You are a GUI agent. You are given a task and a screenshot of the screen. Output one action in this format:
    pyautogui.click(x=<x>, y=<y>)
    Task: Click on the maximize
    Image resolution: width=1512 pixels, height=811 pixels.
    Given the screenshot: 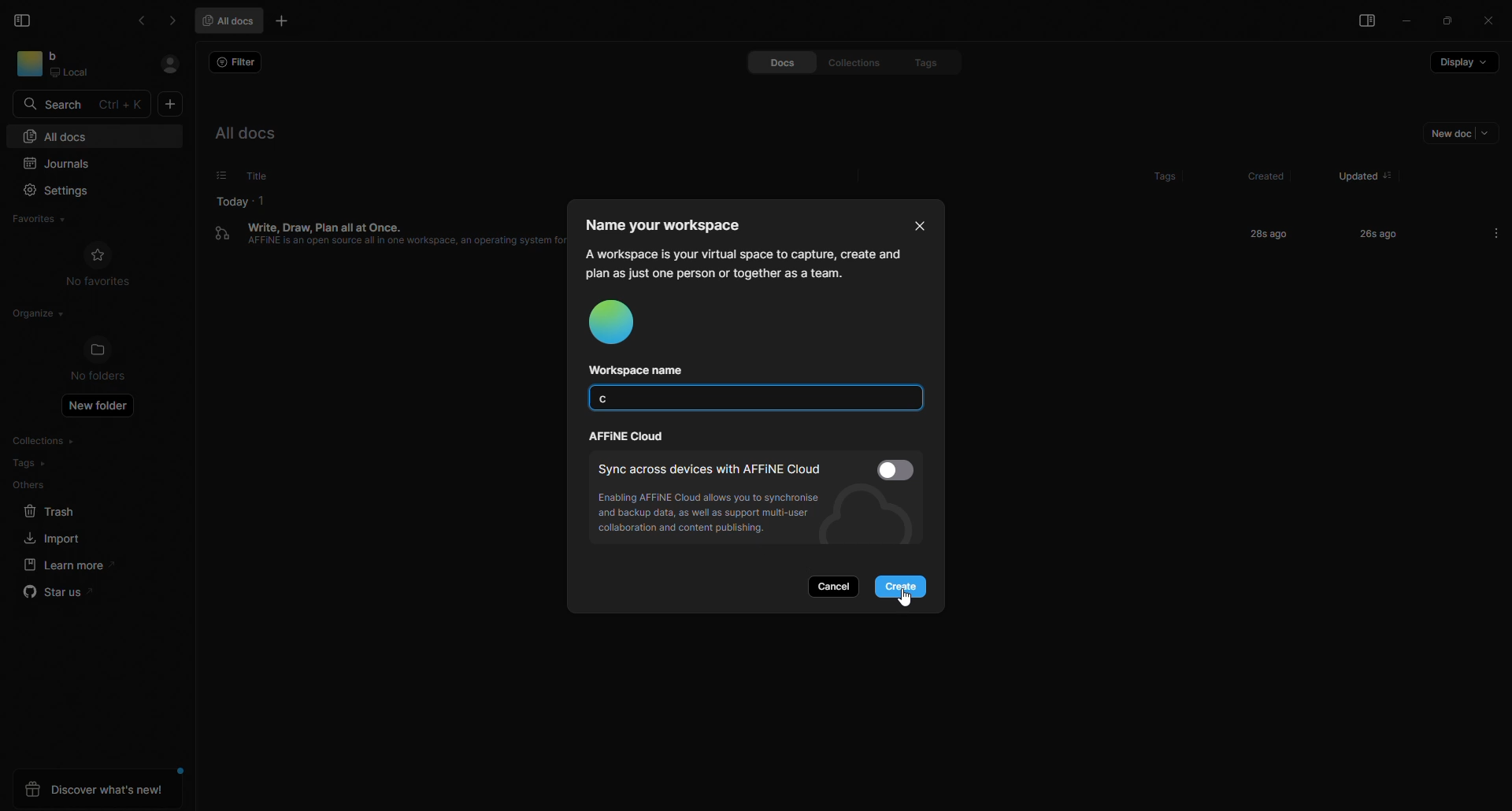 What is the action you would take?
    pyautogui.click(x=1448, y=21)
    